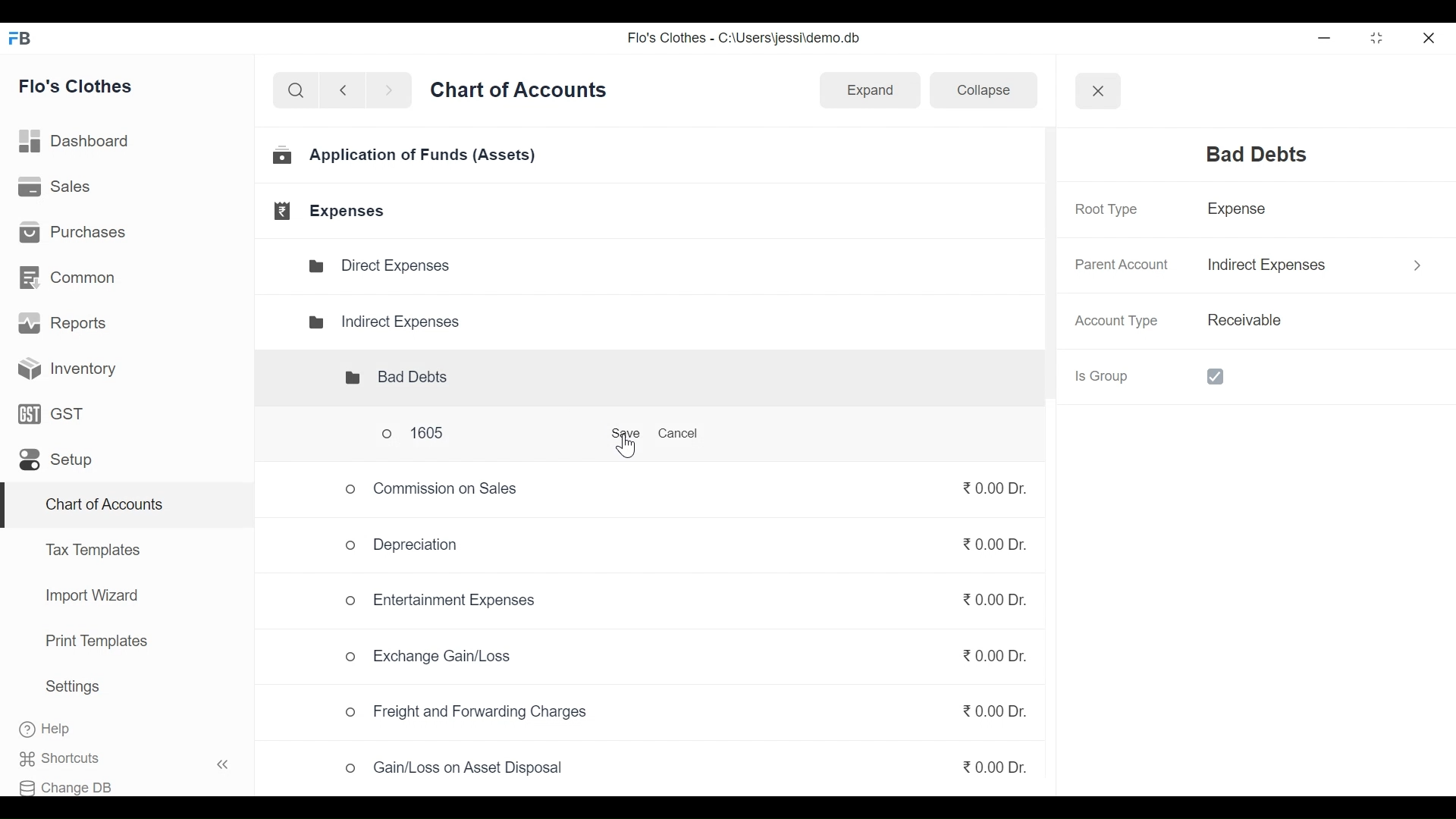  I want to click on Help, so click(61, 730).